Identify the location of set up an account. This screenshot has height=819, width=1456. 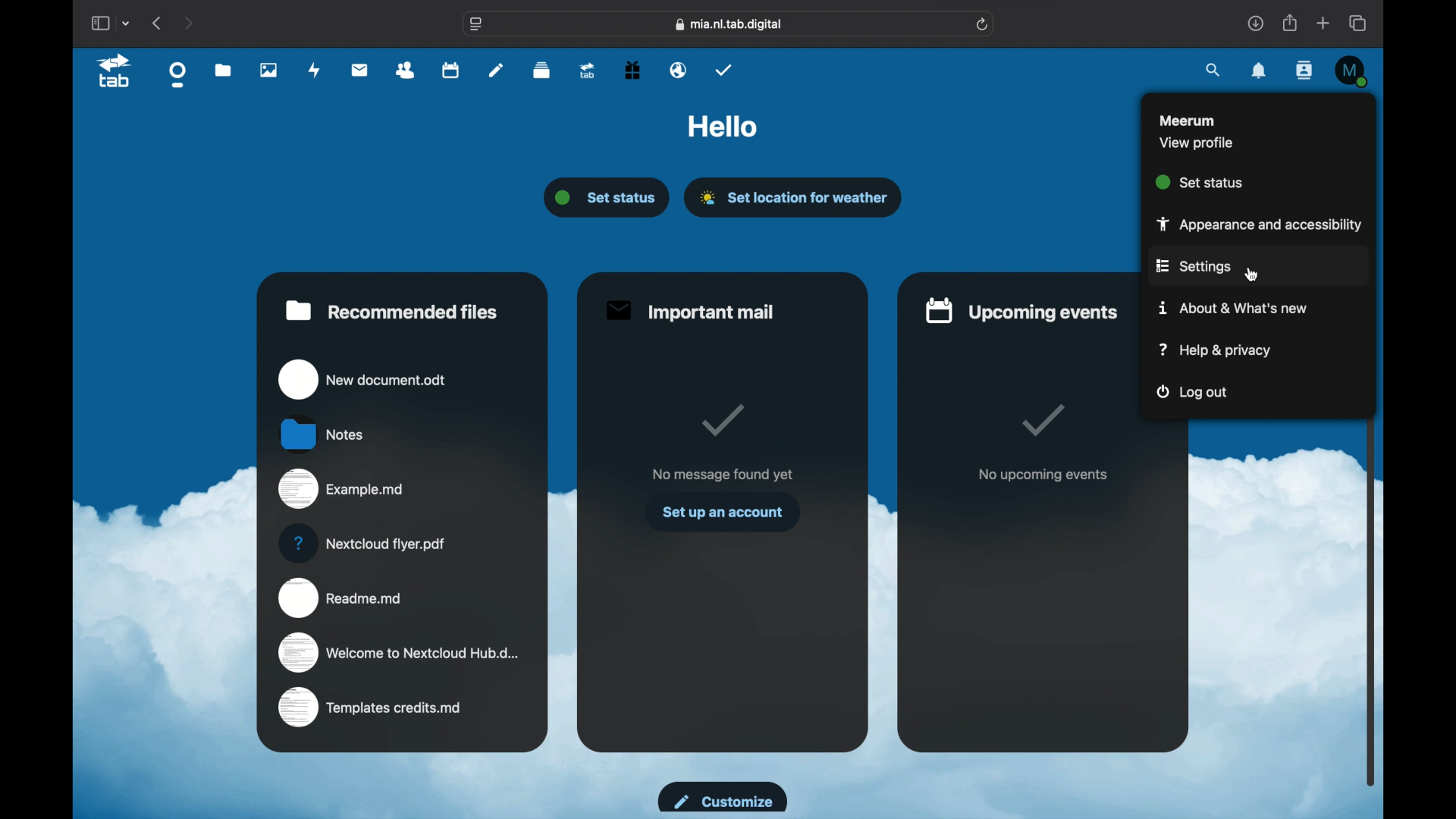
(723, 511).